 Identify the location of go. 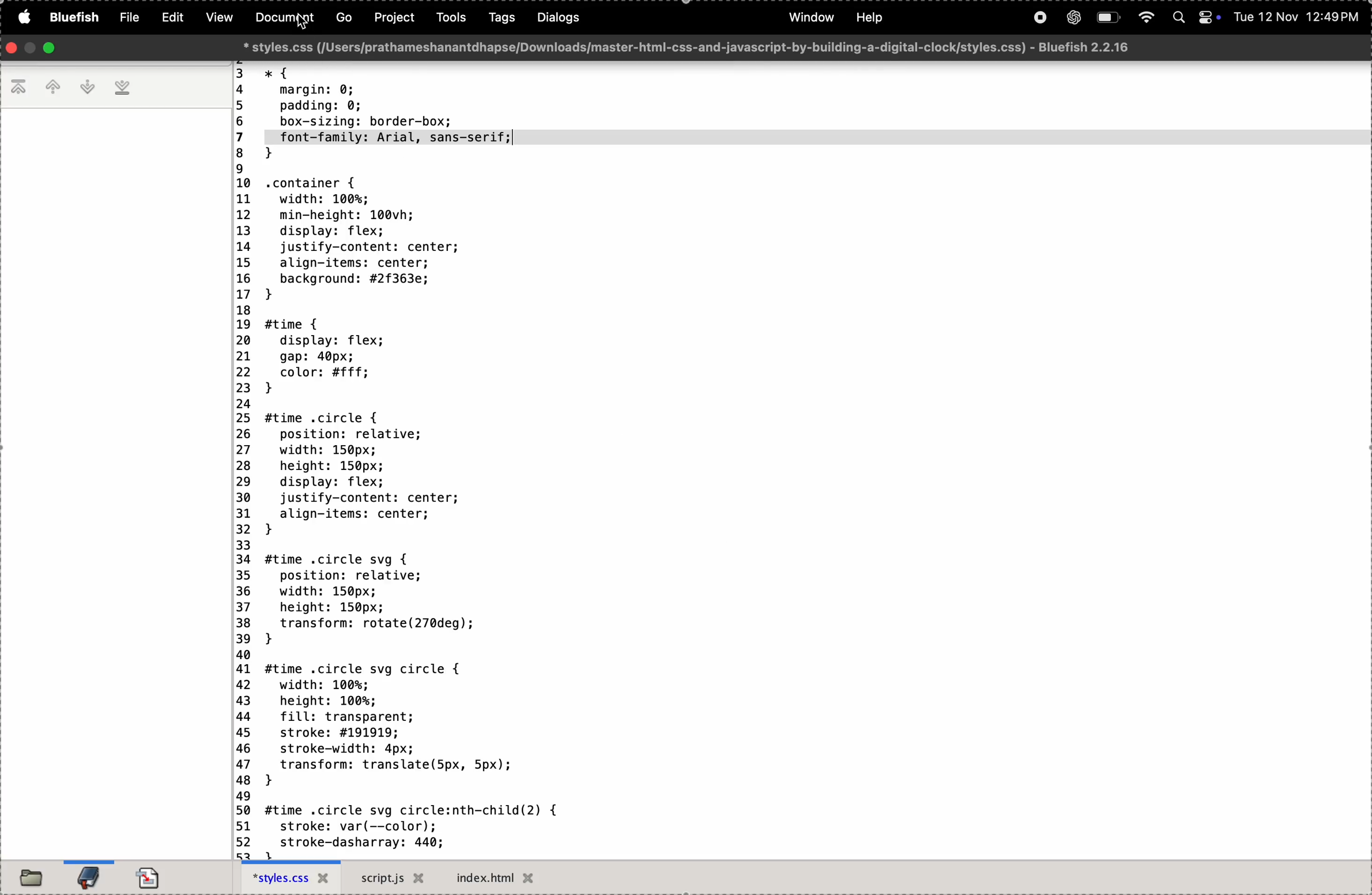
(340, 20).